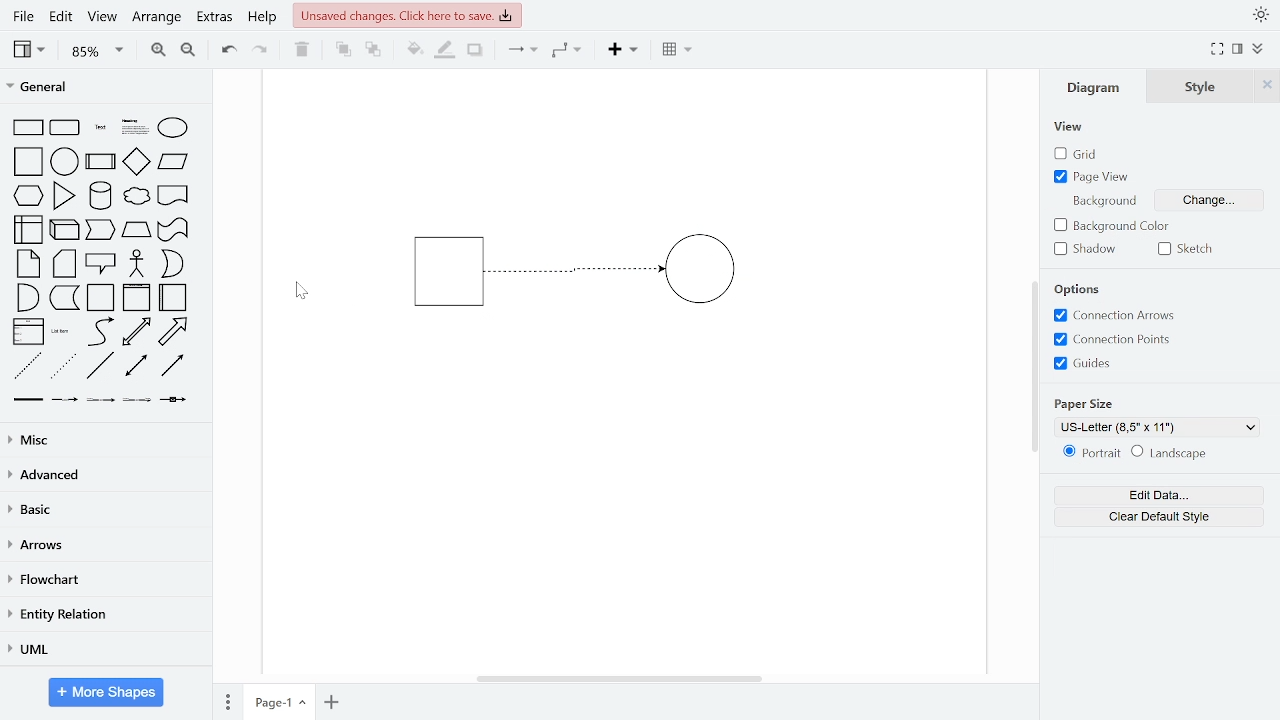 The image size is (1280, 720). What do you see at coordinates (102, 298) in the screenshot?
I see `container` at bounding box center [102, 298].